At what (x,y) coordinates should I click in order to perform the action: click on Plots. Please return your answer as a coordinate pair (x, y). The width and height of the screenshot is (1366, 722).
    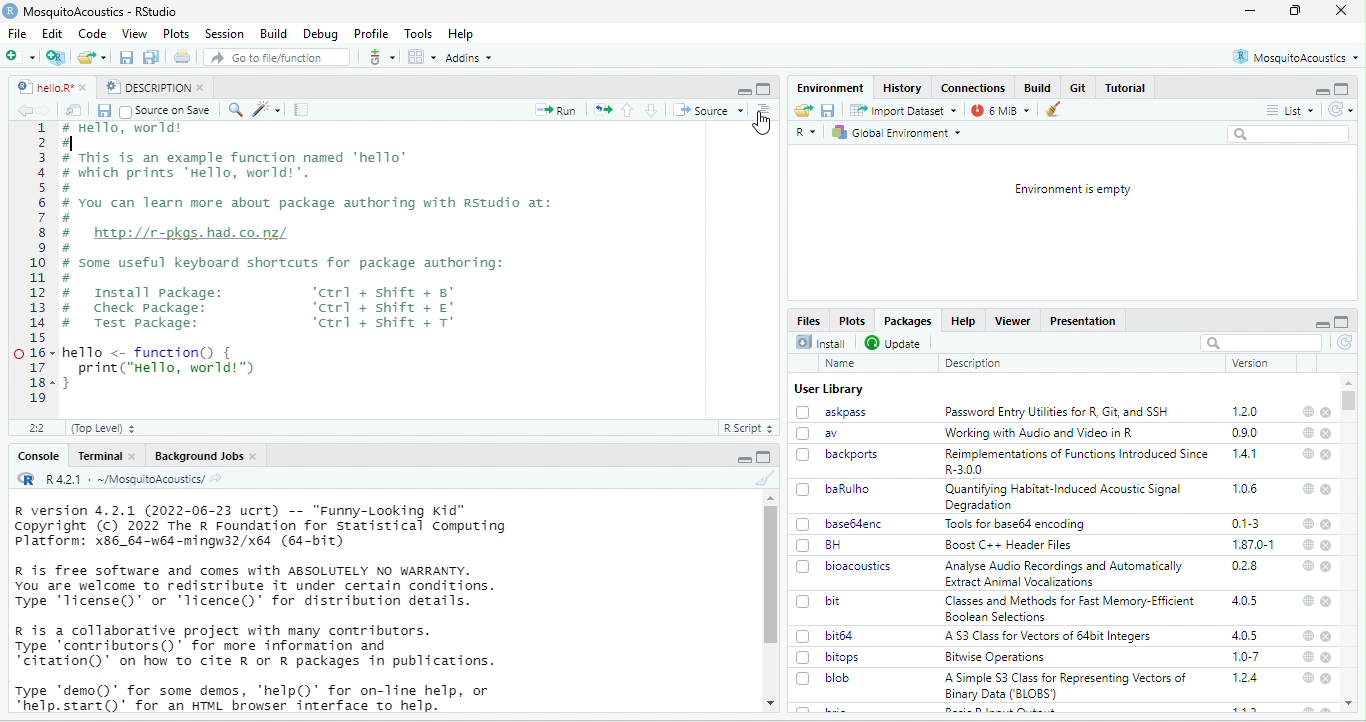
    Looking at the image, I should click on (855, 320).